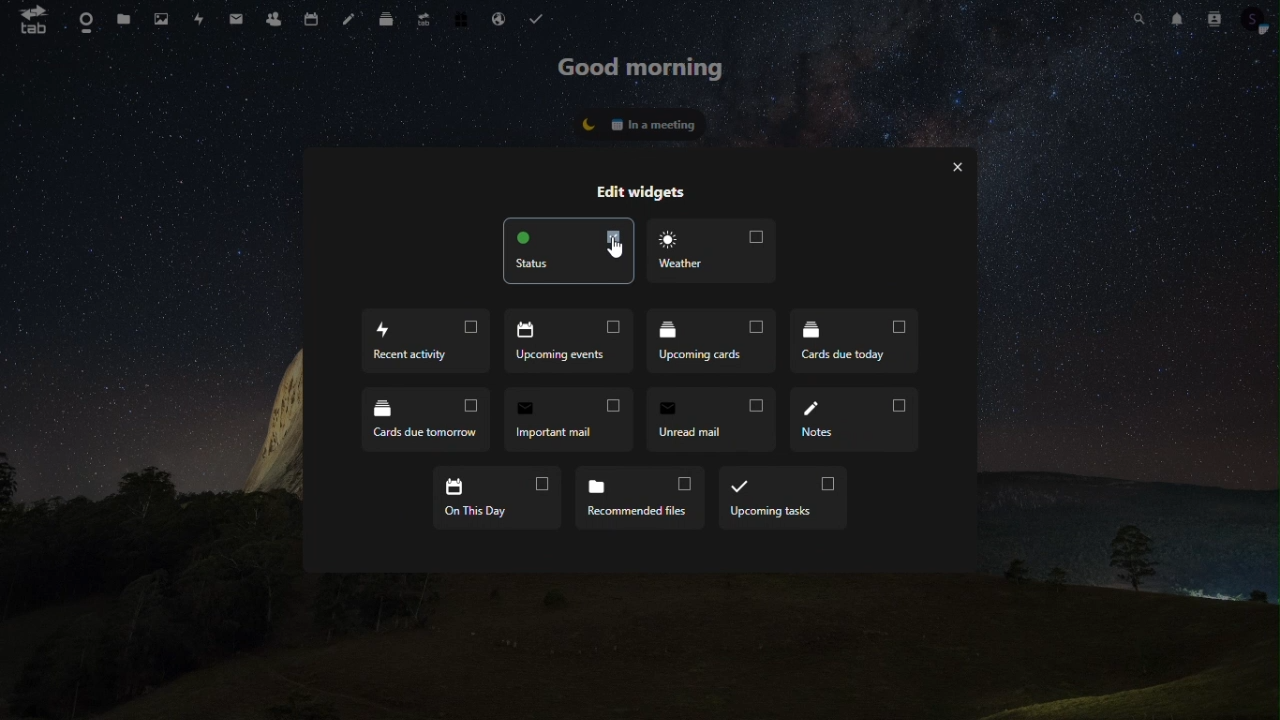  Describe the element at coordinates (712, 417) in the screenshot. I see `unread mail` at that location.